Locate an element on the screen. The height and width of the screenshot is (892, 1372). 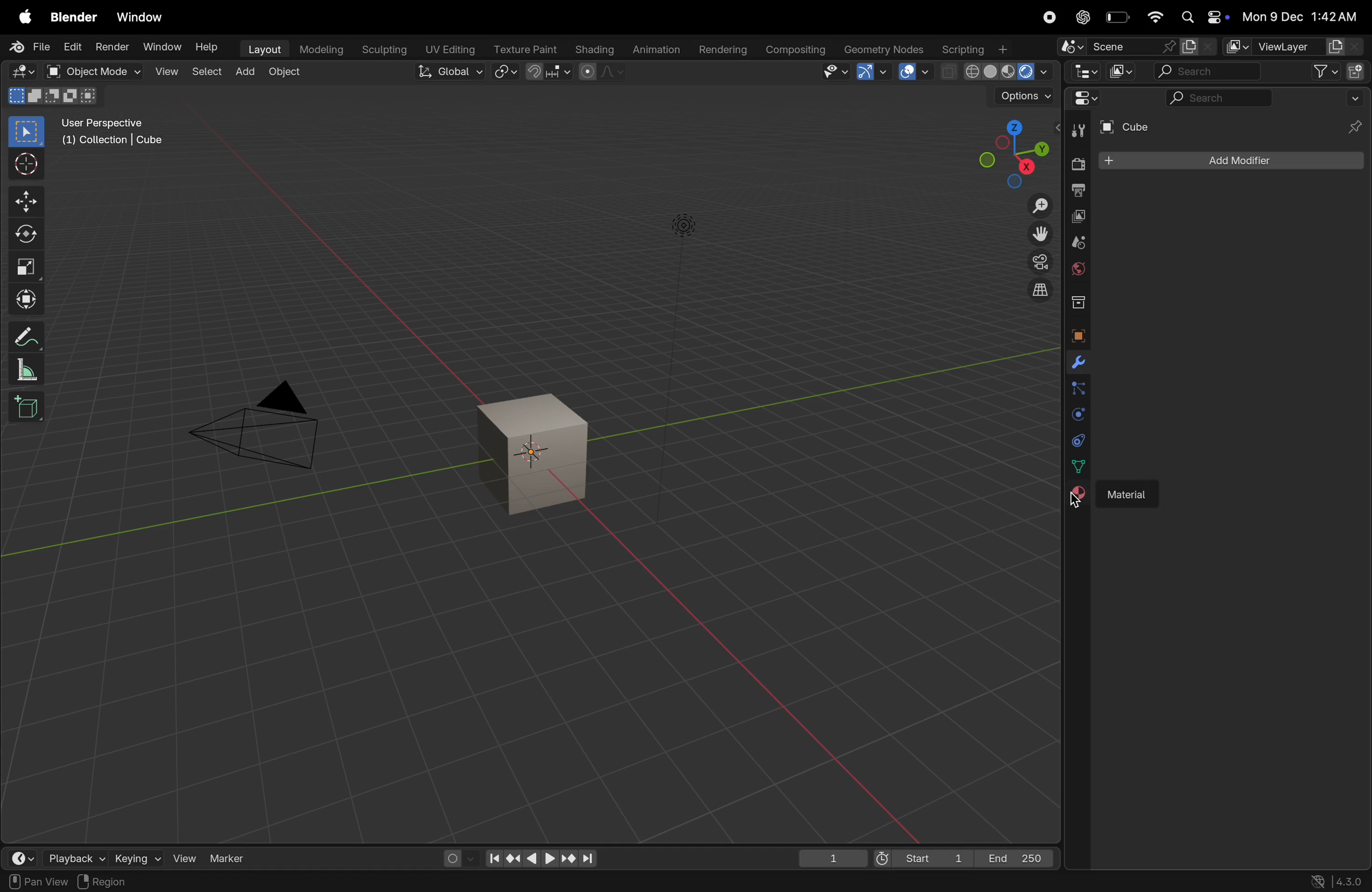
play back controls is located at coordinates (541, 860).